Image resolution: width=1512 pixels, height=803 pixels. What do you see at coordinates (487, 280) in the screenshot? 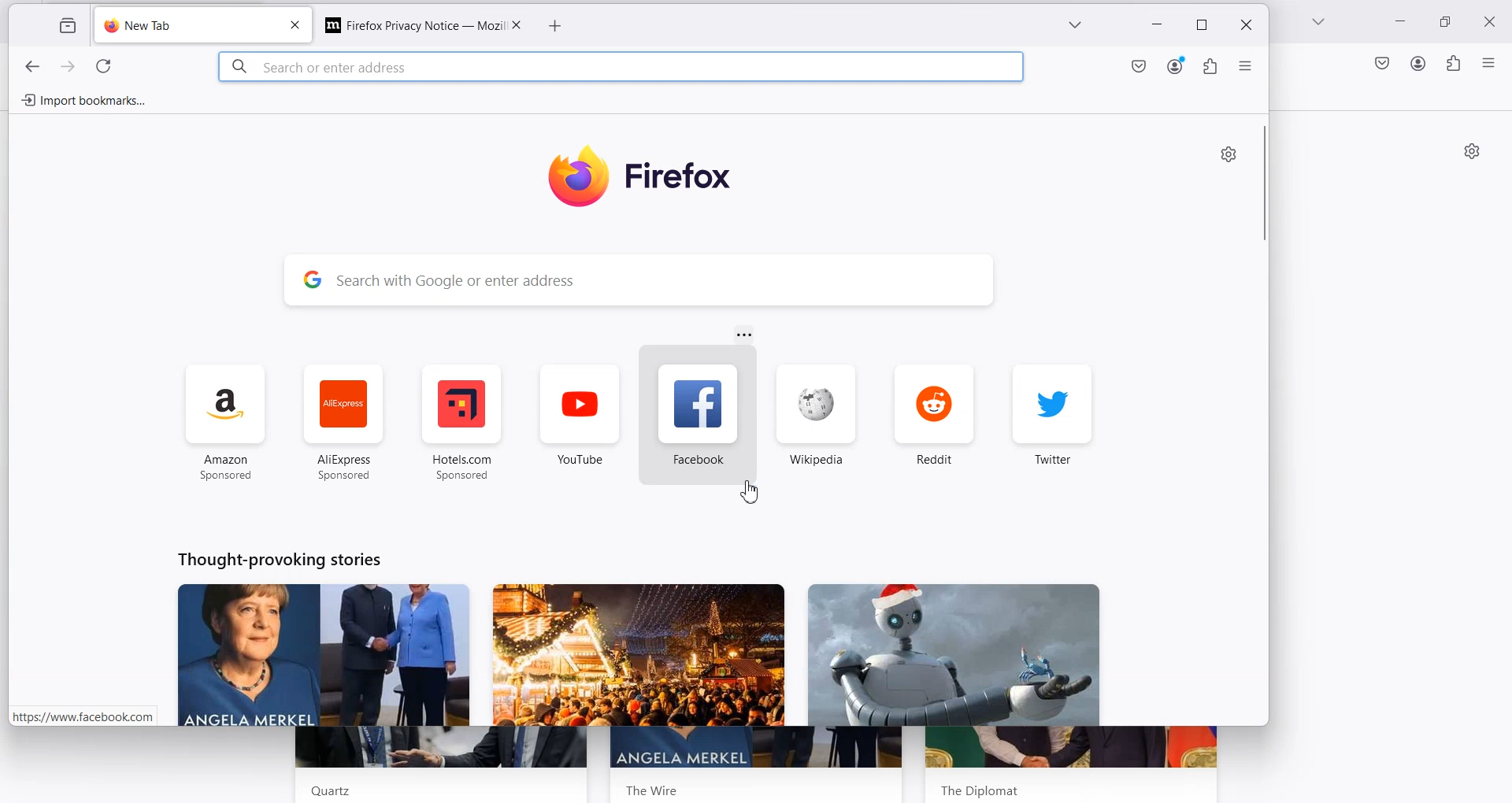
I see `search with google or enter address` at bounding box center [487, 280].